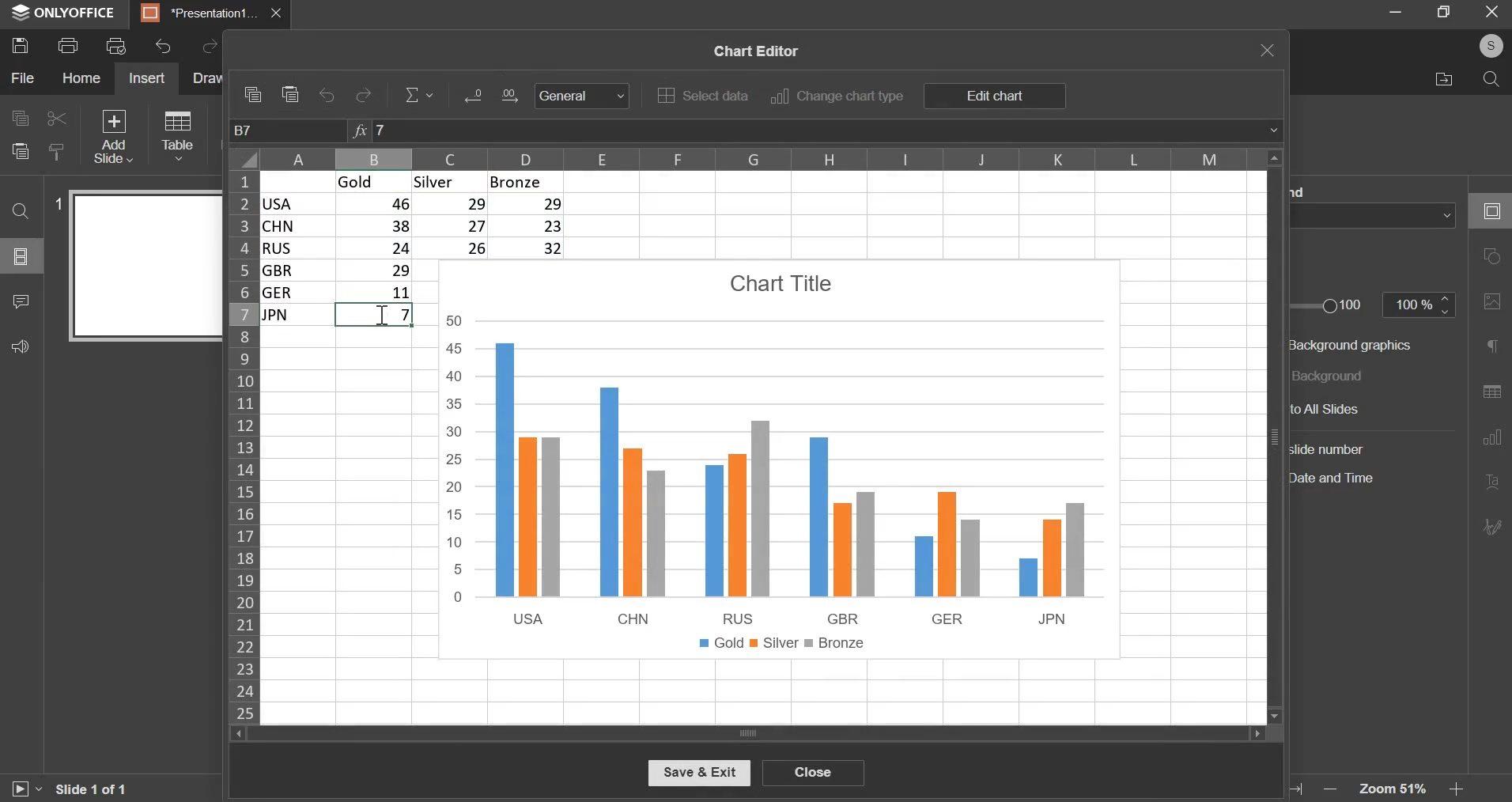 This screenshot has width=1512, height=802. I want to click on save, so click(20, 46).